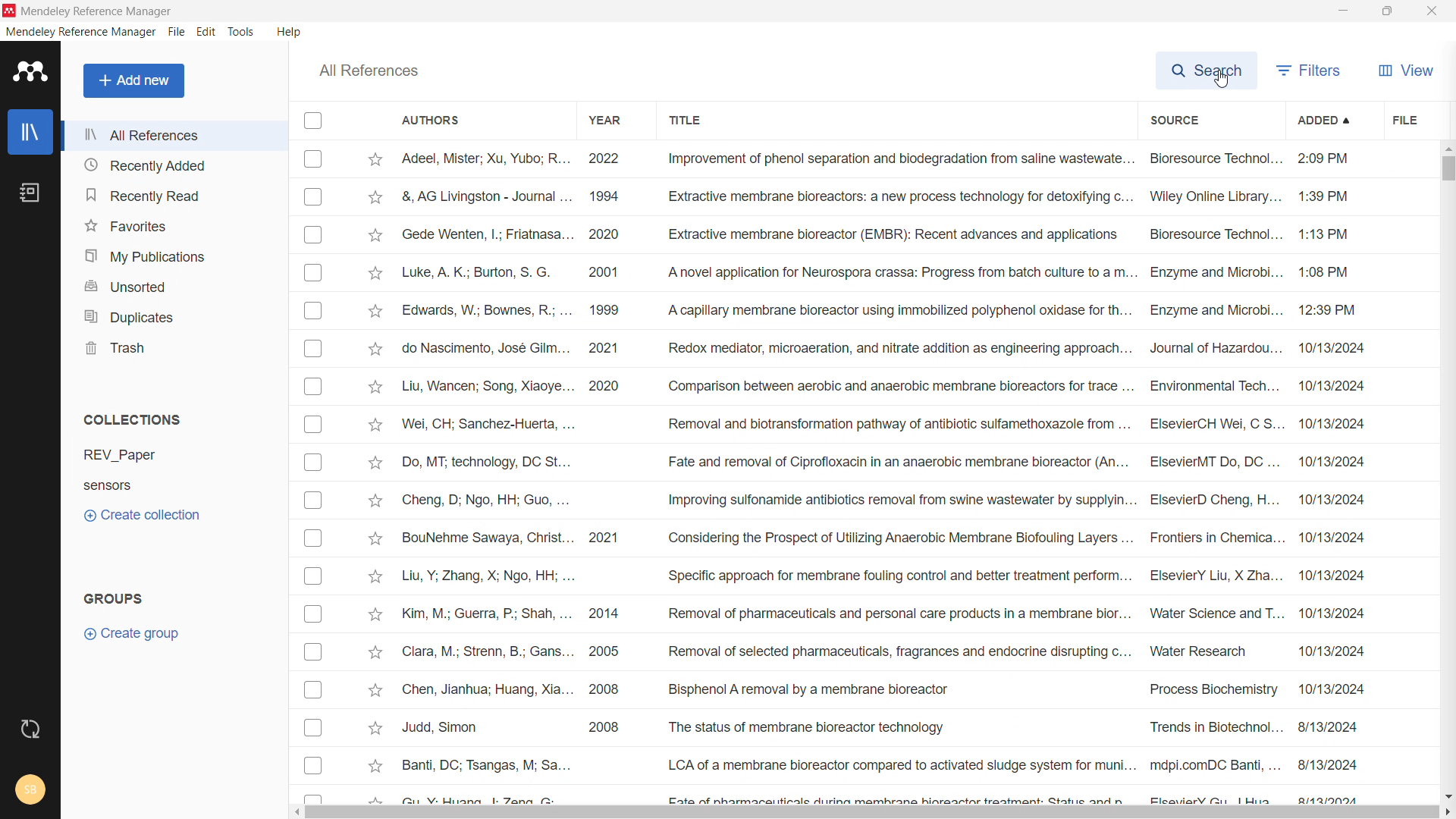  What do you see at coordinates (886, 612) in the screenshot?
I see `Kim, M.; Guerra, P; Shah, ... 2014 Removal of pharmaceuticals and personal care products in a membrane bior... Water Science and T... 10/13/2024` at bounding box center [886, 612].